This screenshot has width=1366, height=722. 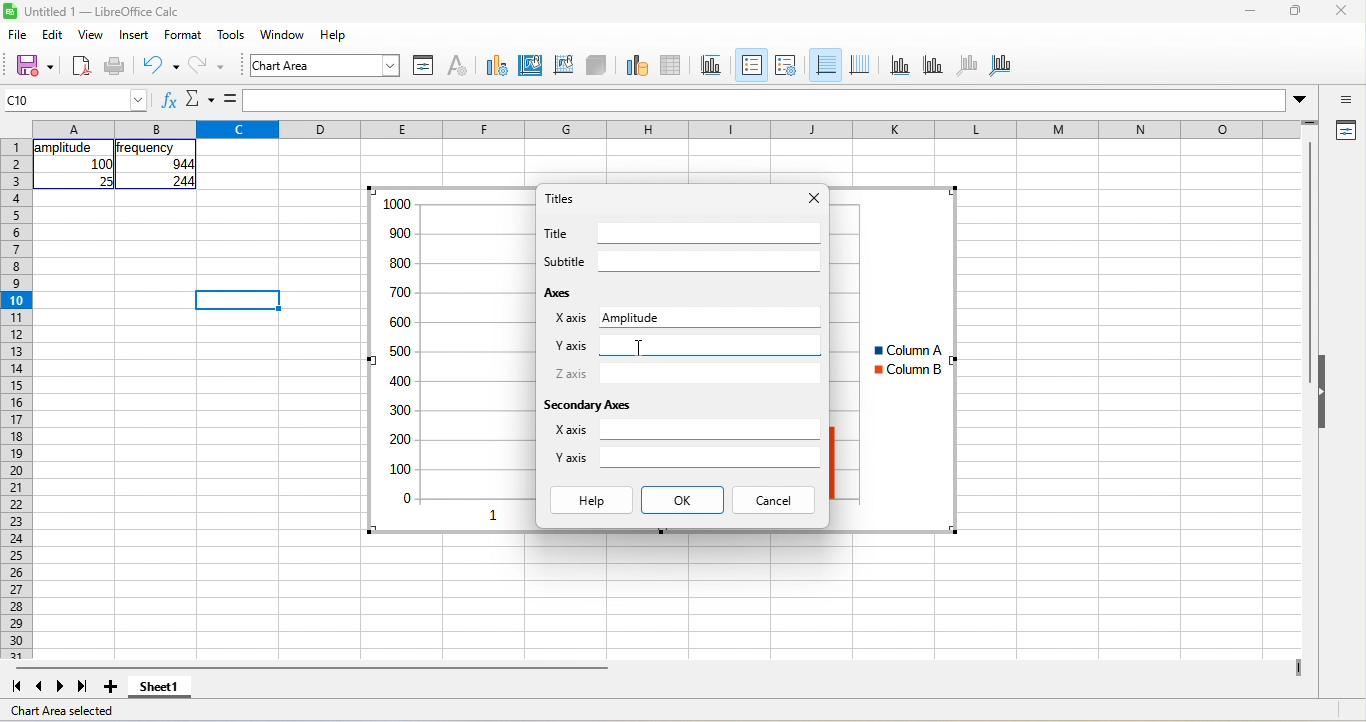 What do you see at coordinates (531, 66) in the screenshot?
I see `chart area ` at bounding box center [531, 66].